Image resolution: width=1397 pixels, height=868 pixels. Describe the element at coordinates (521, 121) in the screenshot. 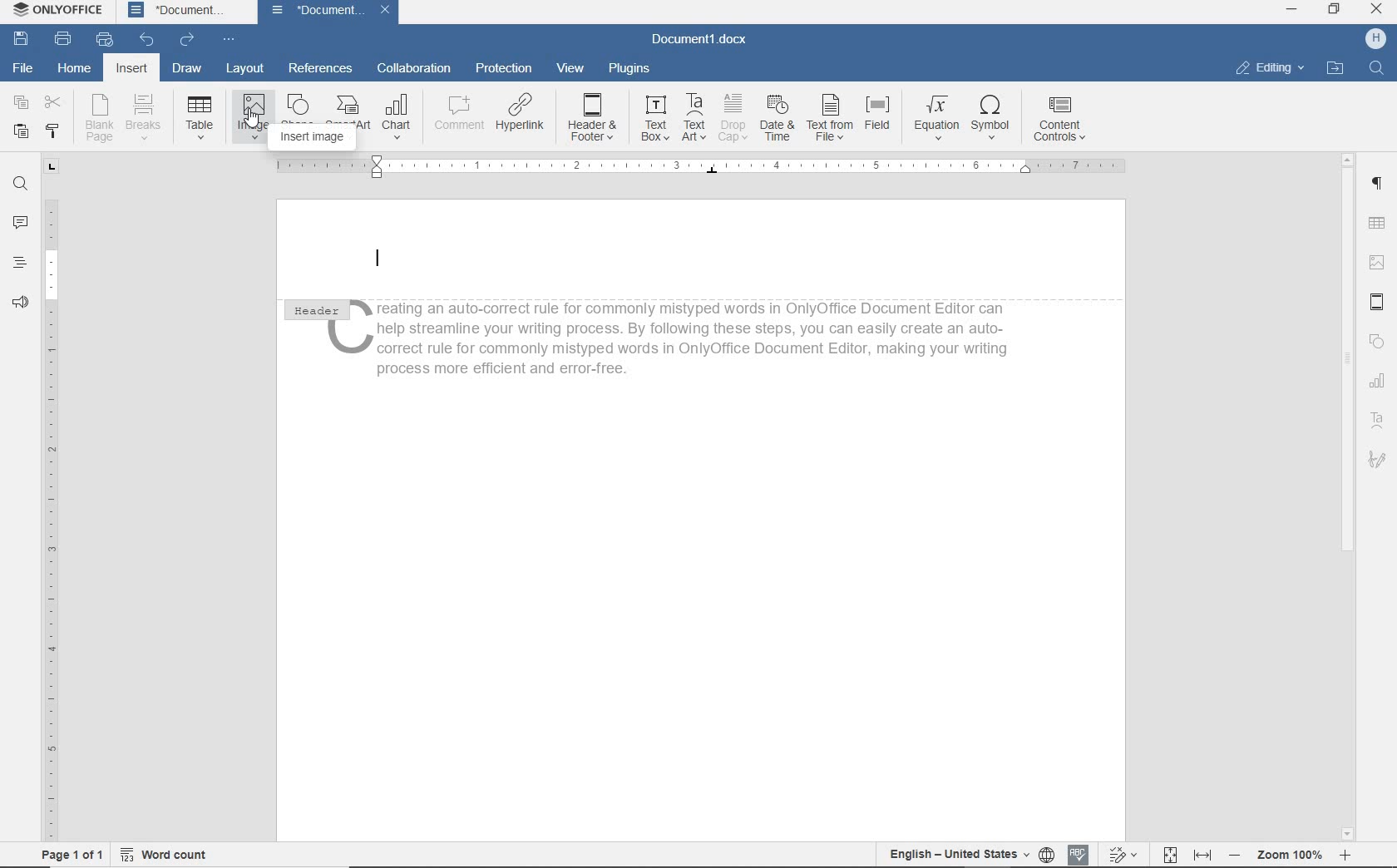

I see `HYPERLINK` at that location.